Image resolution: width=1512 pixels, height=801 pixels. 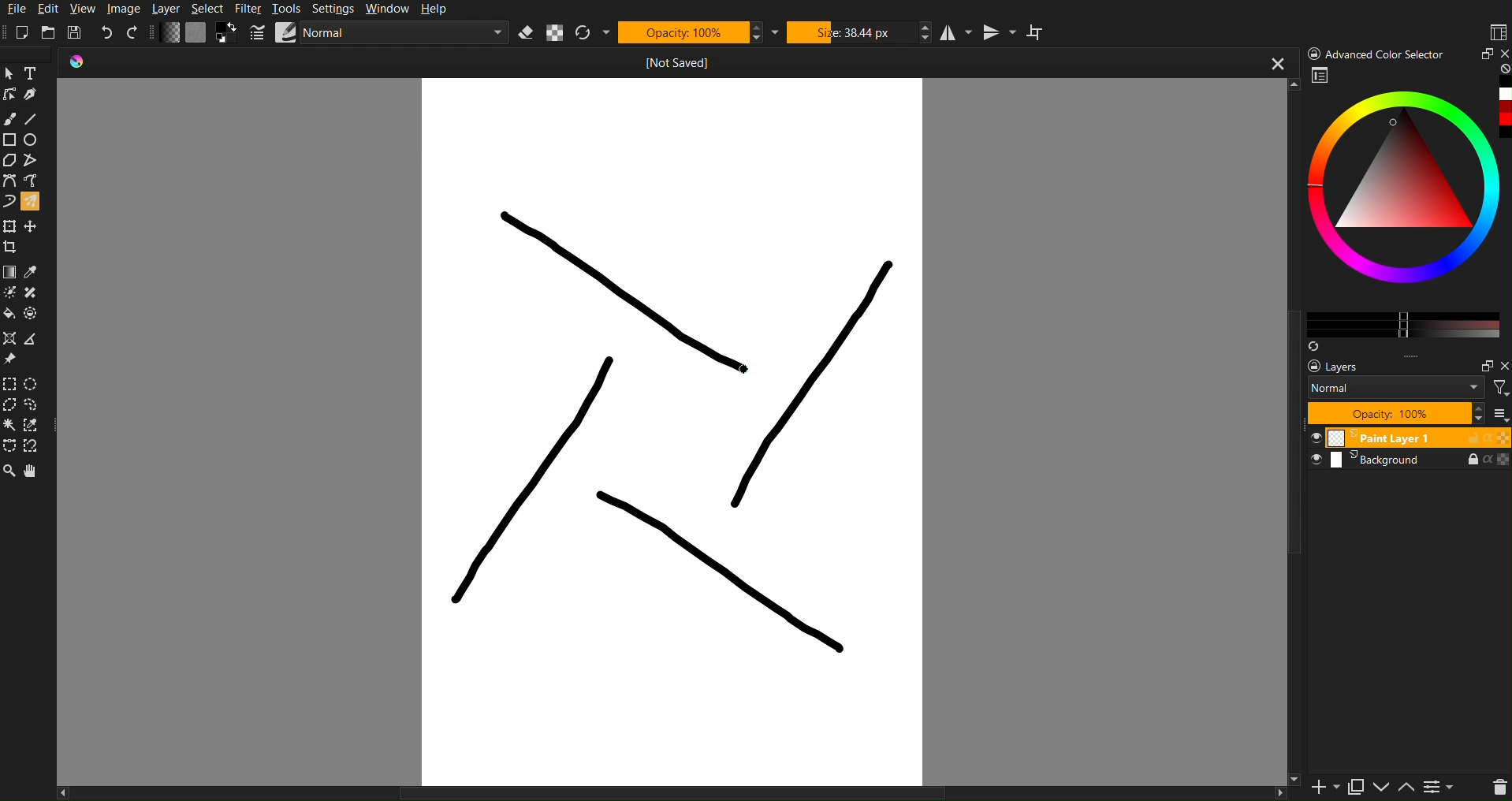 What do you see at coordinates (858, 32) in the screenshot?
I see `Size` at bounding box center [858, 32].